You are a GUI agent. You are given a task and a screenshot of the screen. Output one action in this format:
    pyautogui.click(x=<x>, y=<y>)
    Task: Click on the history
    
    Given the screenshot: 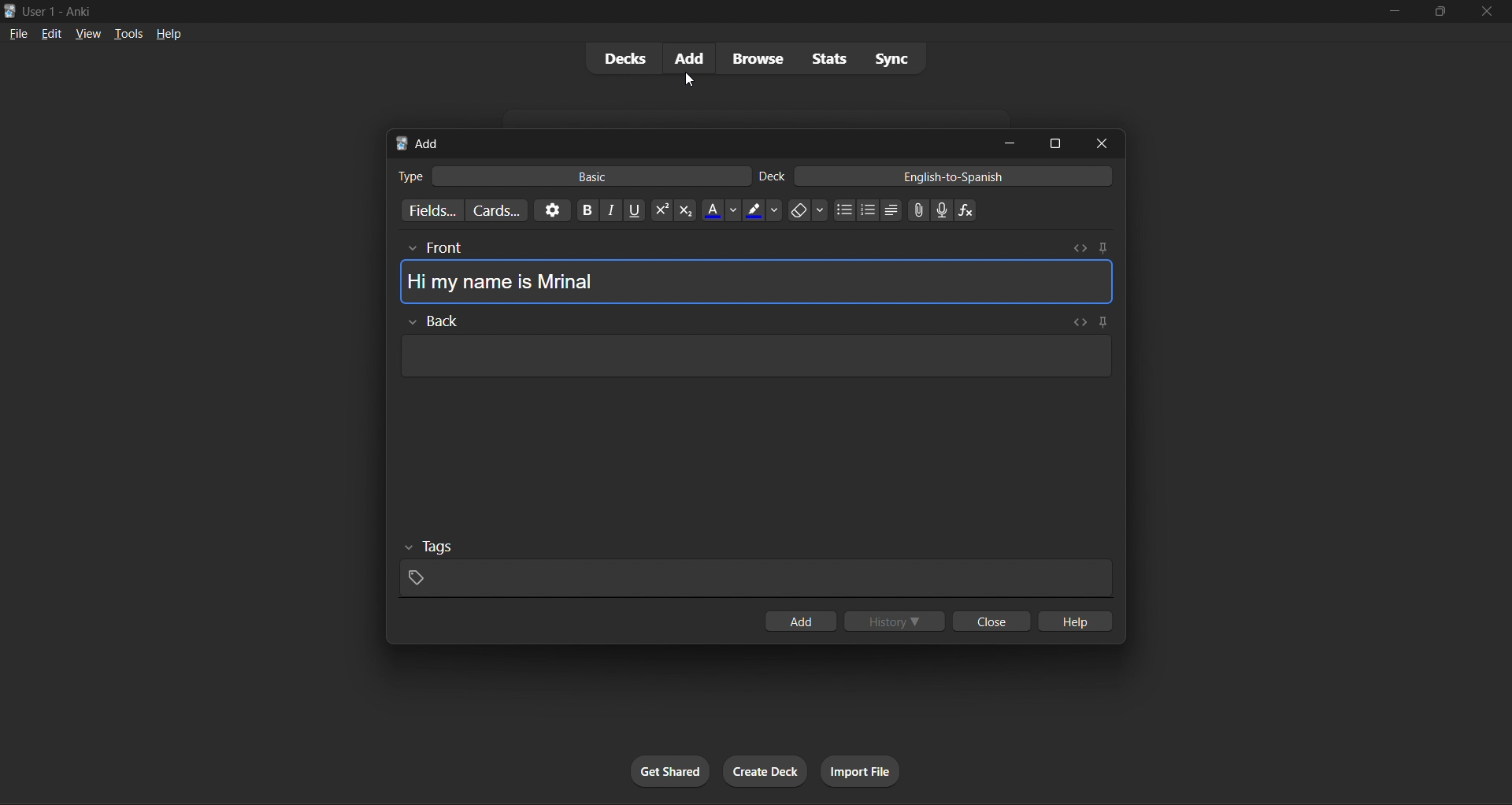 What is the action you would take?
    pyautogui.click(x=897, y=618)
    